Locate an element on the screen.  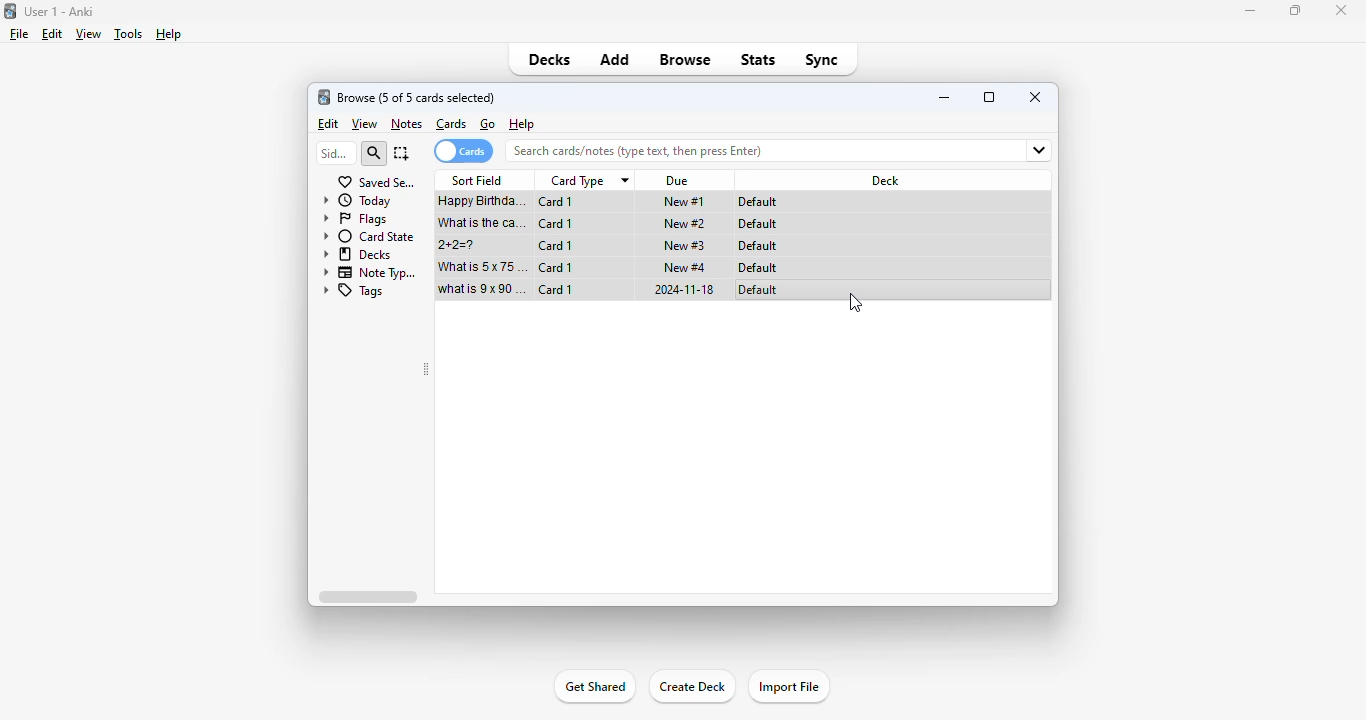
2024-11-18 is located at coordinates (682, 289).